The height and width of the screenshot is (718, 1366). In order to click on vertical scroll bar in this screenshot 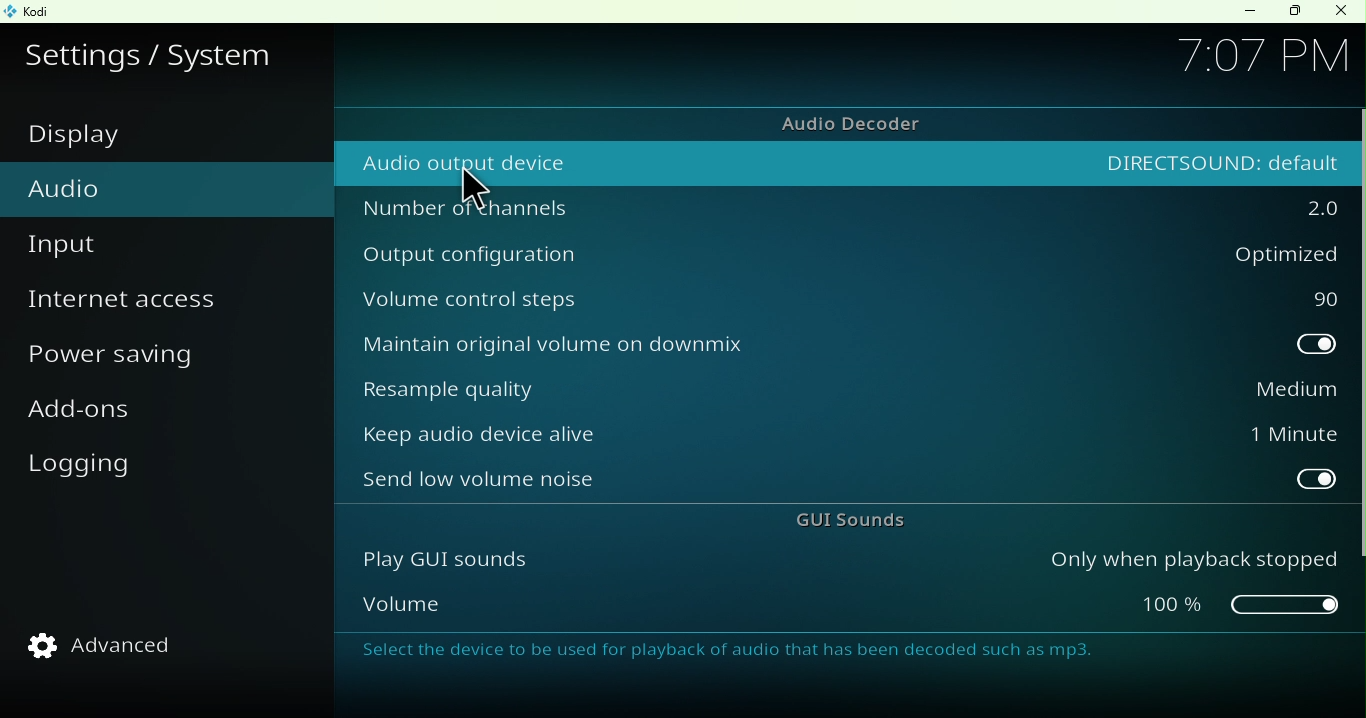, I will do `click(1357, 335)`.